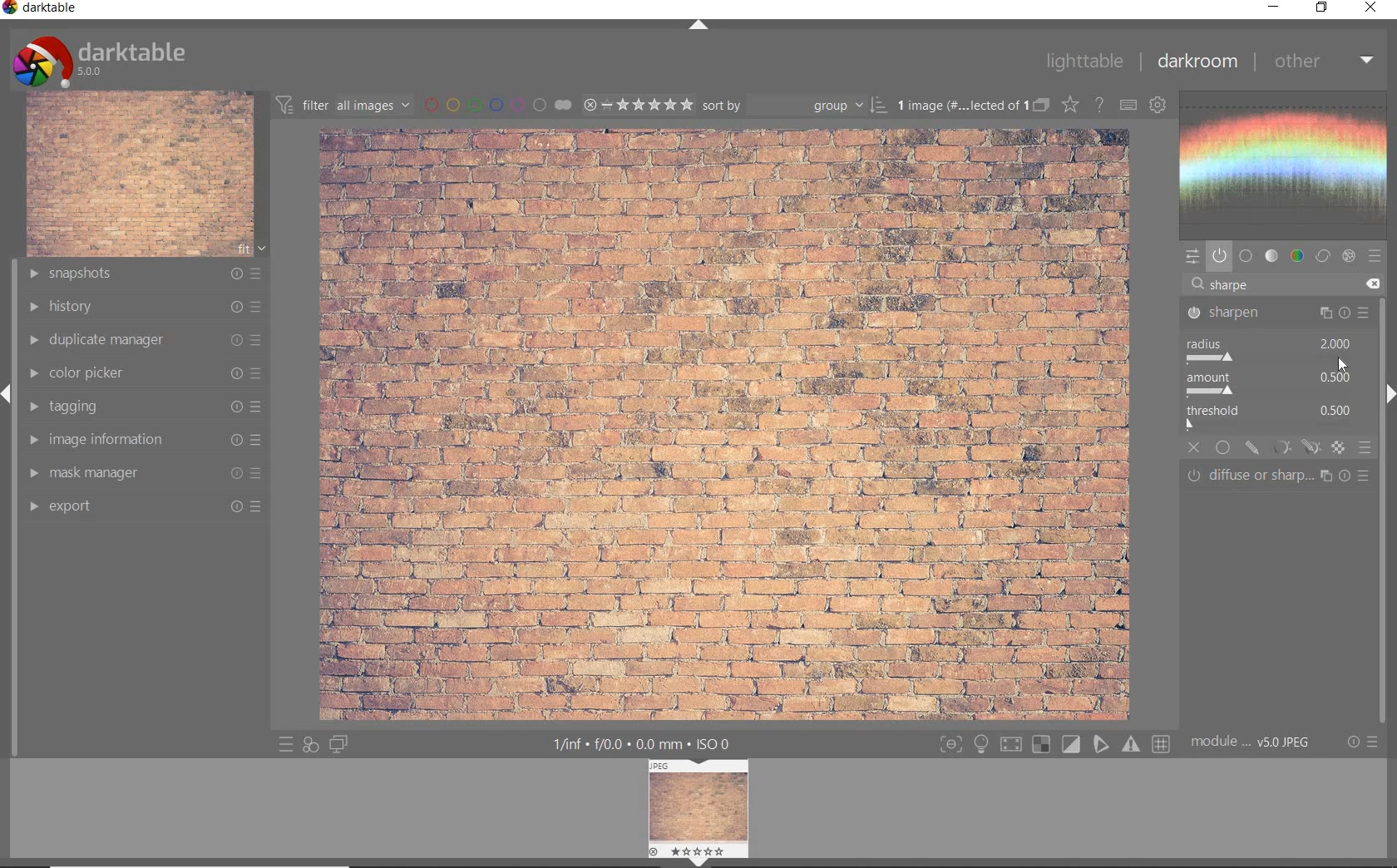  Describe the element at coordinates (1224, 448) in the screenshot. I see `UNIFORMLY` at that location.